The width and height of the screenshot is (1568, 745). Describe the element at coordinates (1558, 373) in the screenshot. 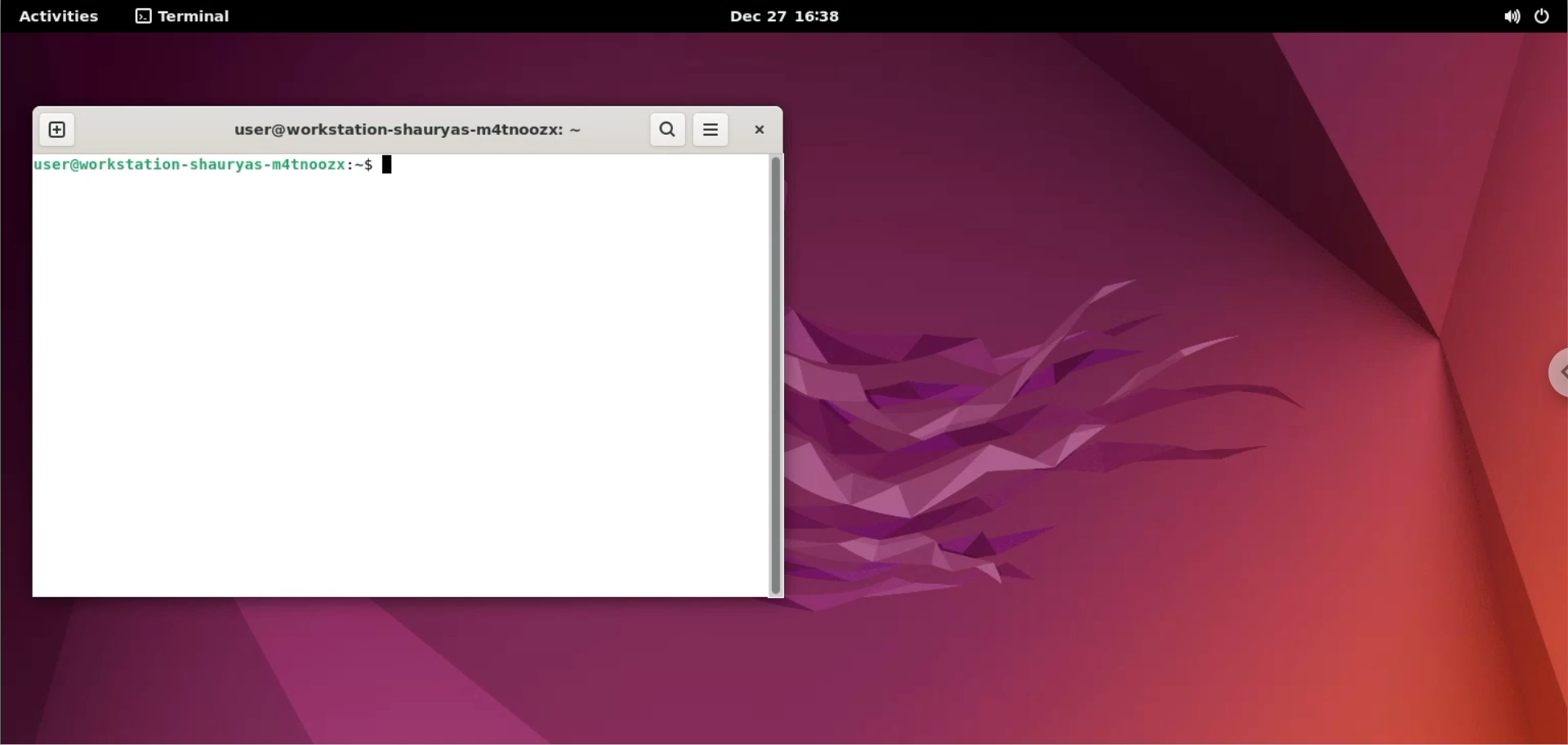

I see `chrome options` at that location.